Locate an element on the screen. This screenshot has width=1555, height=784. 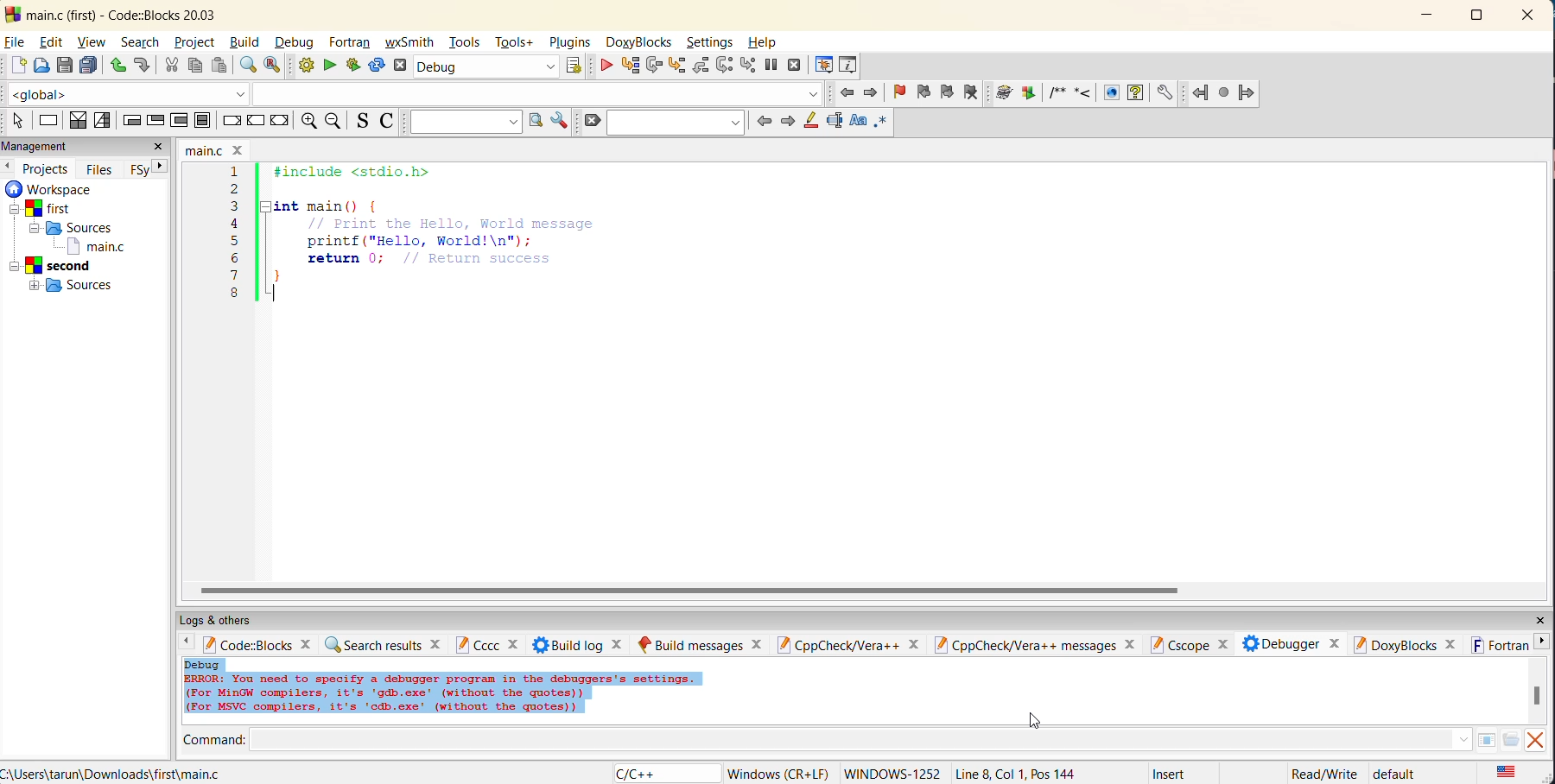
text to search is located at coordinates (464, 121).